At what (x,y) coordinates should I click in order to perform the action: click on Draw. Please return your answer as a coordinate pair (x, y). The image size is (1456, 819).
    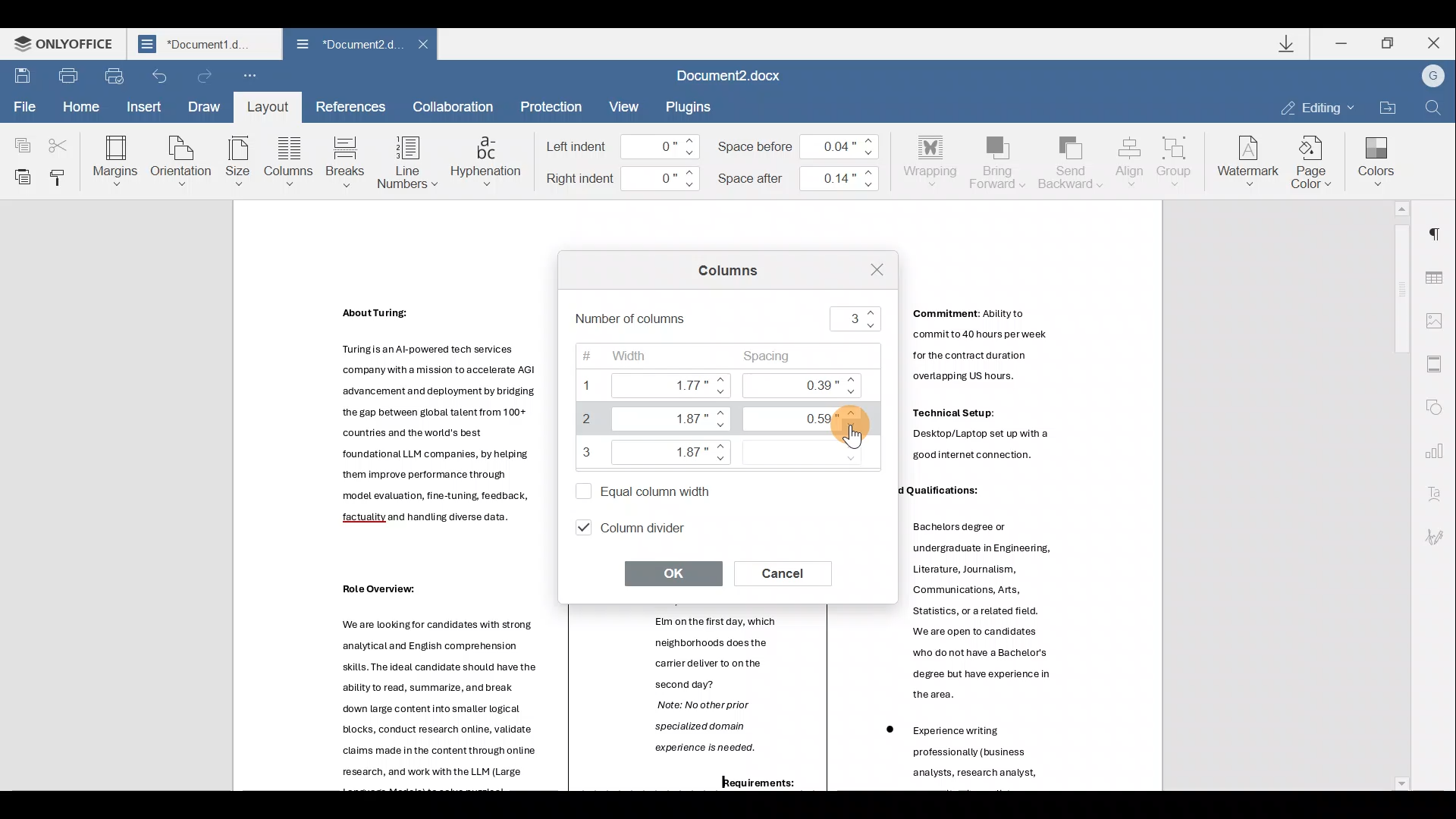
    Looking at the image, I should click on (205, 104).